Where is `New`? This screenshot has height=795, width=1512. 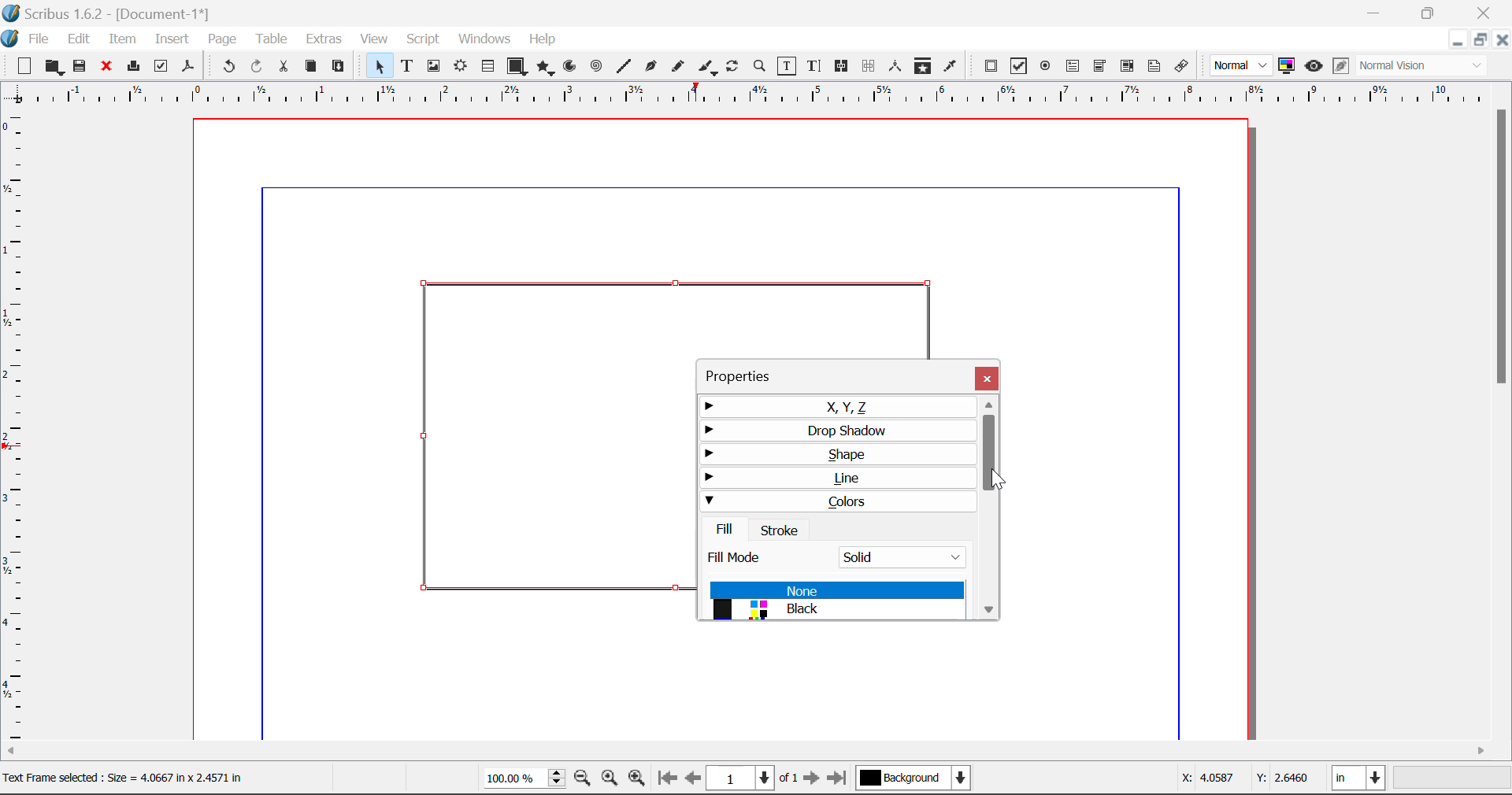
New is located at coordinates (23, 66).